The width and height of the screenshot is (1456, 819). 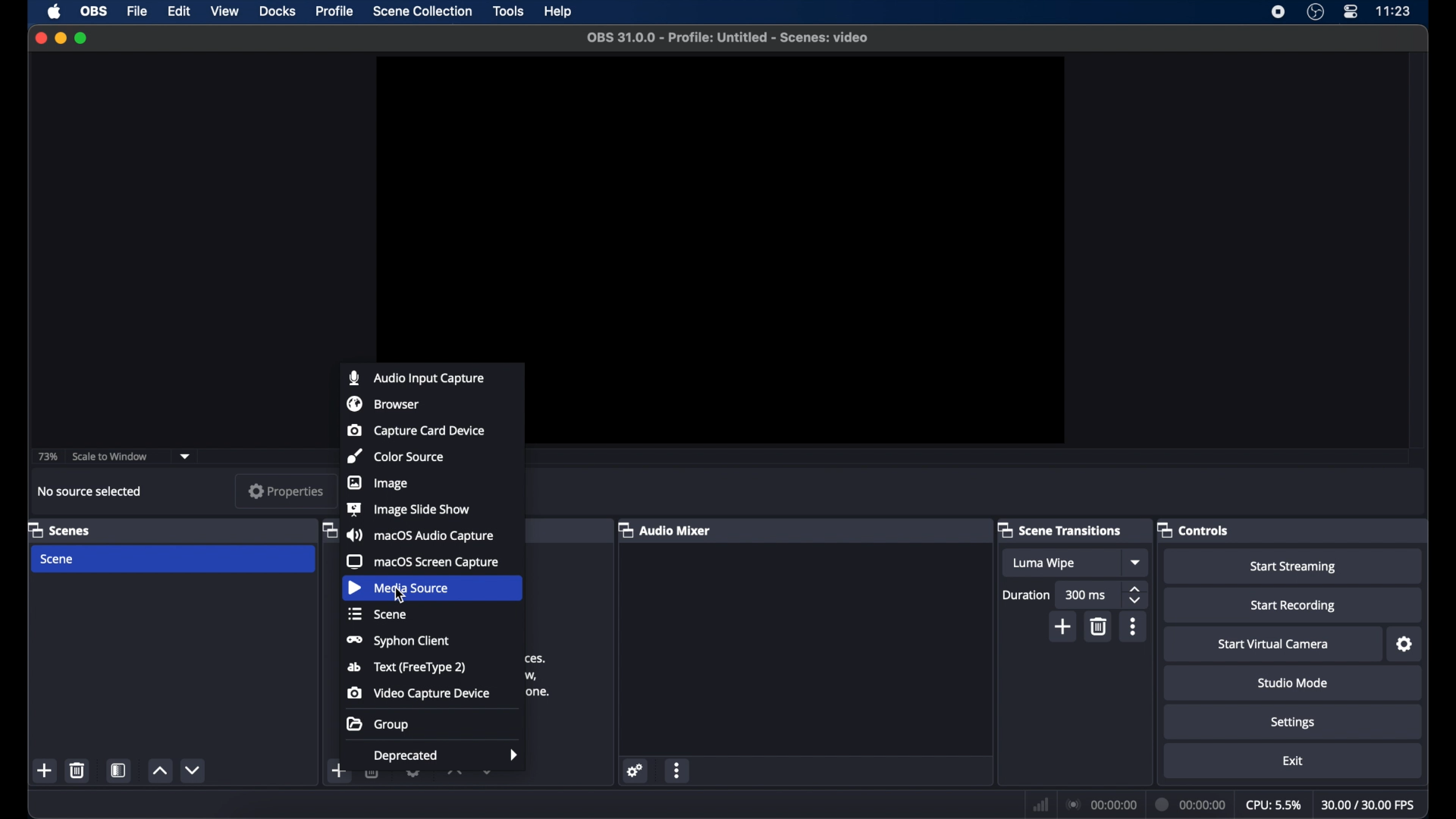 What do you see at coordinates (488, 773) in the screenshot?
I see `decrement` at bounding box center [488, 773].